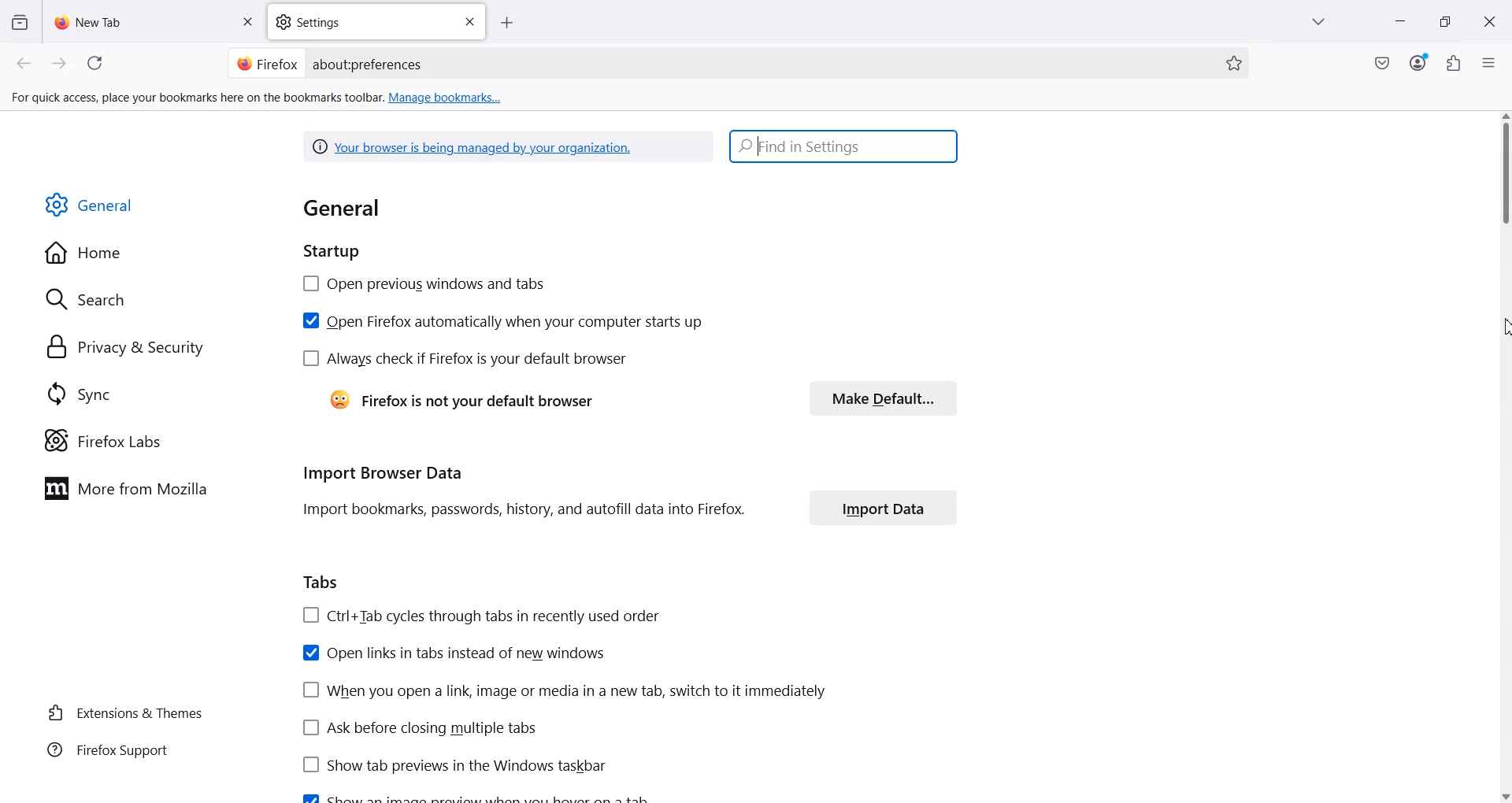 This screenshot has height=803, width=1512. I want to click on Open links in tabs instead of new windows, so click(453, 650).